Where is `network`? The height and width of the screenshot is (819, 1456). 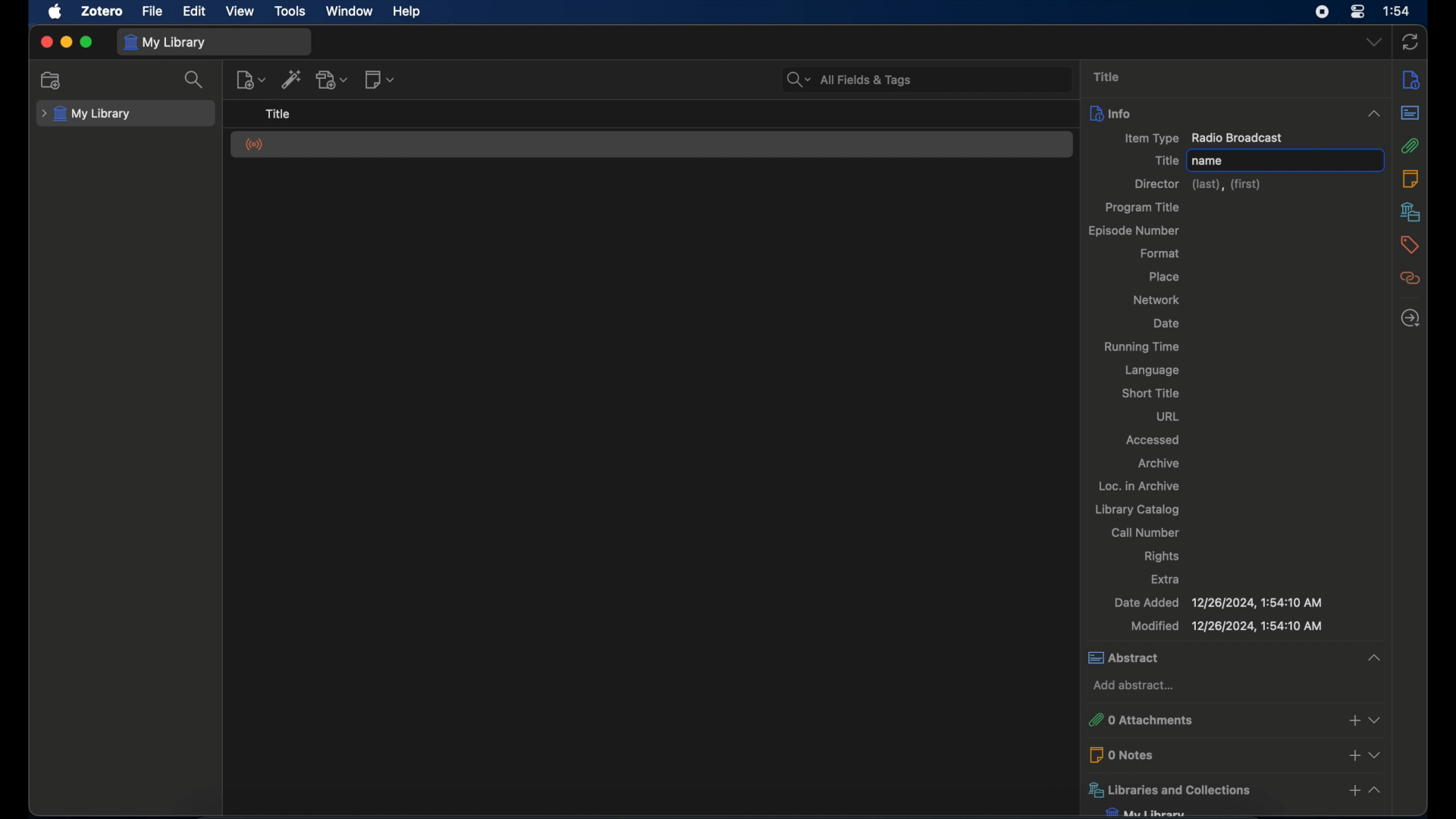
network is located at coordinates (1156, 299).